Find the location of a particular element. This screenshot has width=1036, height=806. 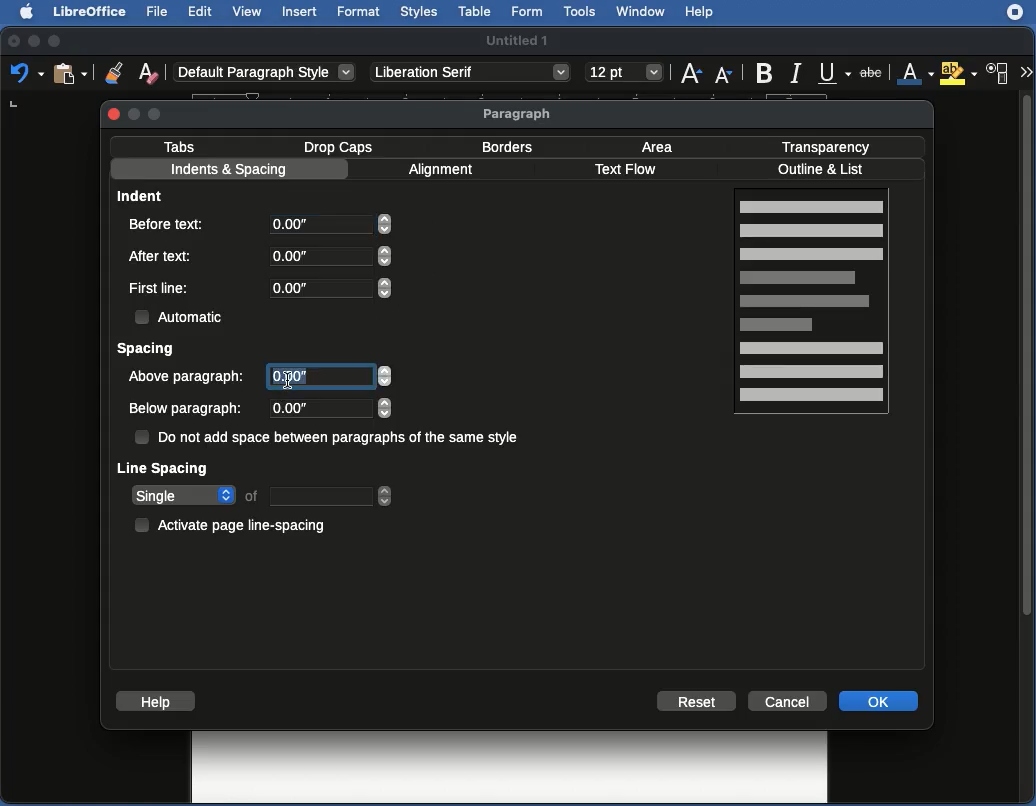

clone formatting is located at coordinates (108, 72).